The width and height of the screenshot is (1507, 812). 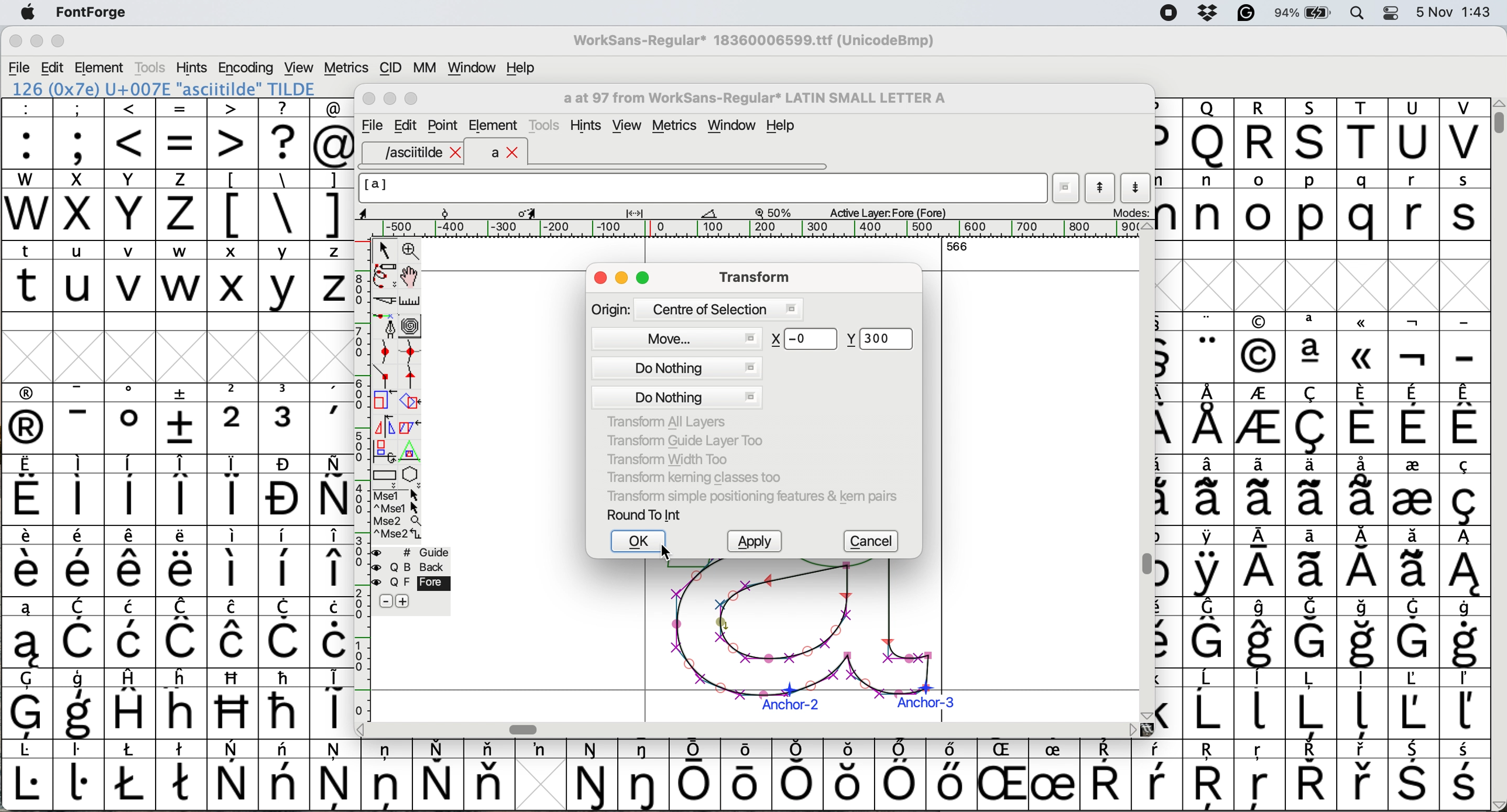 What do you see at coordinates (183, 490) in the screenshot?
I see `symbol` at bounding box center [183, 490].